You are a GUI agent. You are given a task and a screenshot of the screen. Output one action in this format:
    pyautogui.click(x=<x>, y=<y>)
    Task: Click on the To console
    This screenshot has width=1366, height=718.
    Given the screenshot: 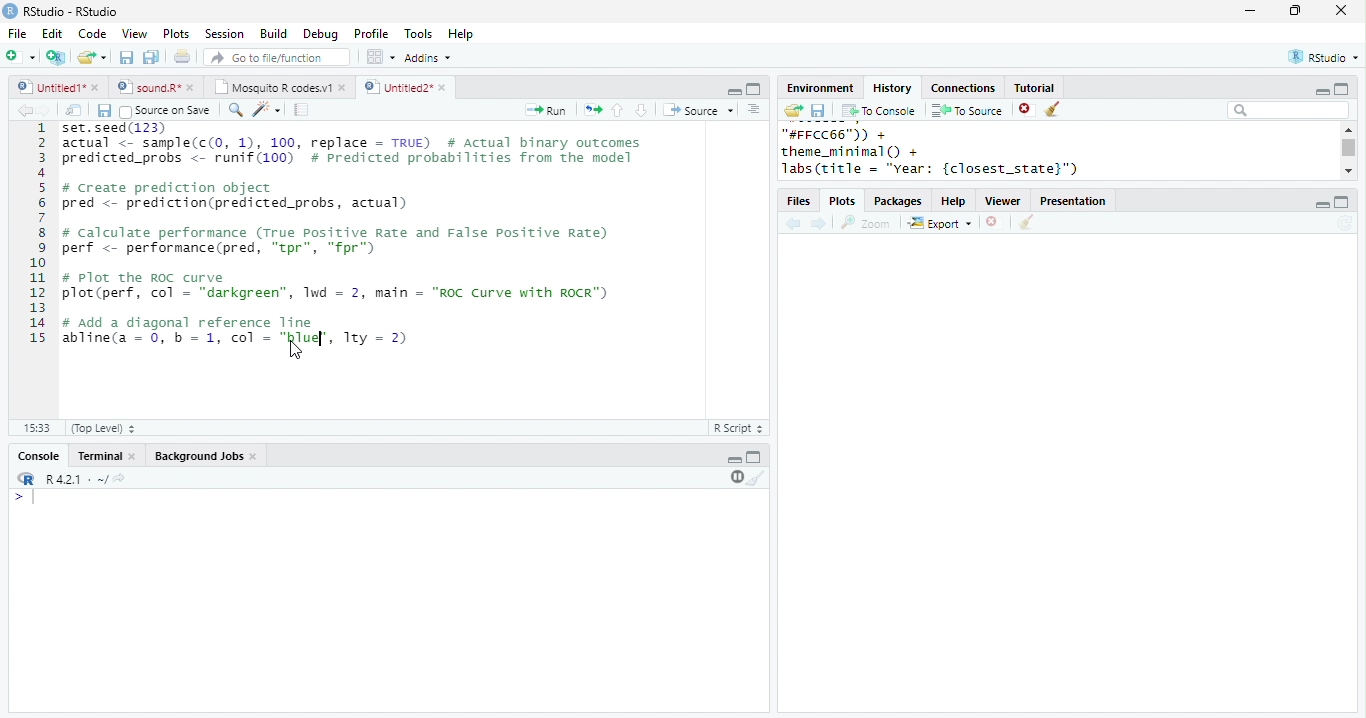 What is the action you would take?
    pyautogui.click(x=879, y=111)
    